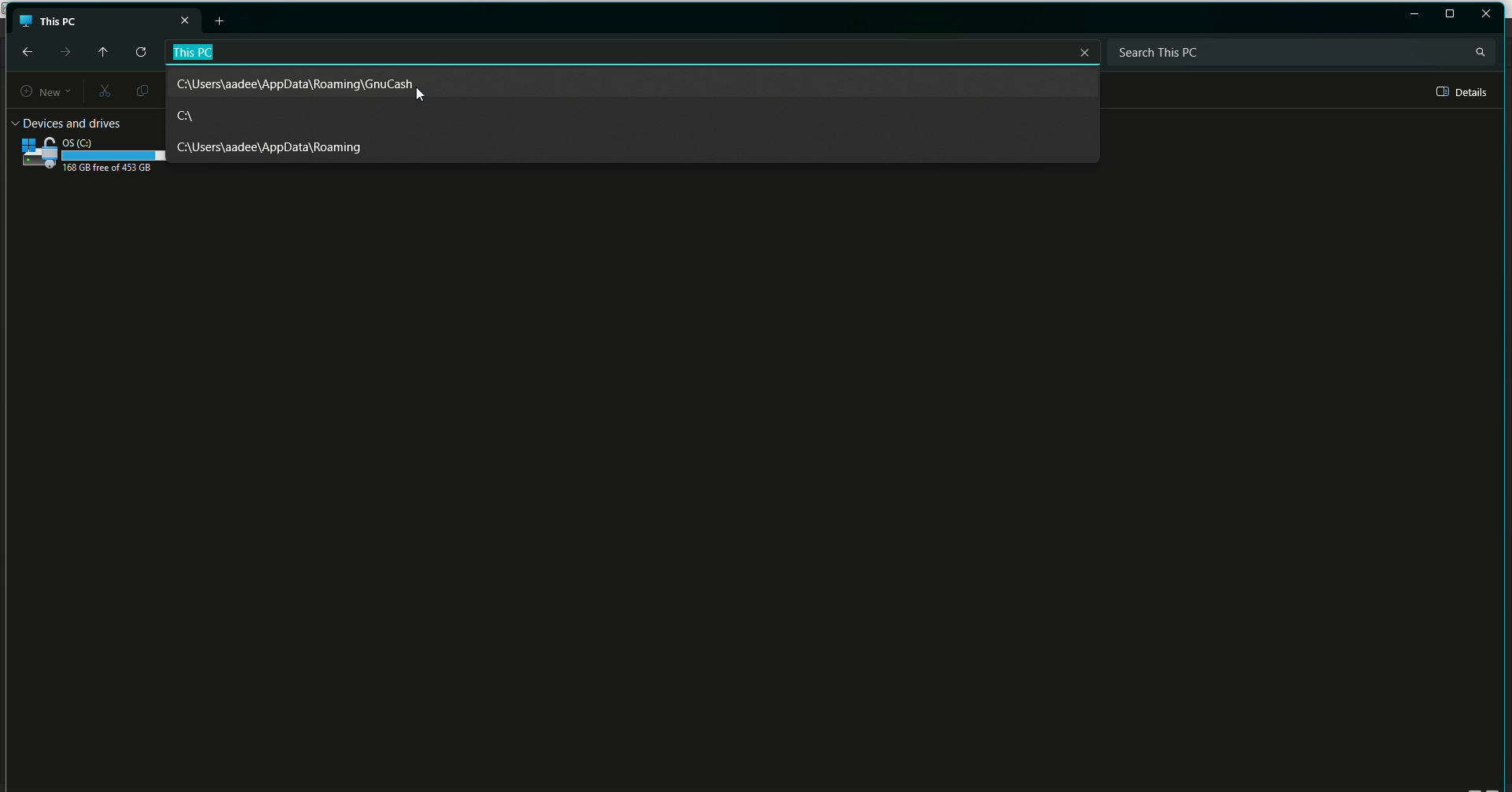 Image resolution: width=1512 pixels, height=792 pixels. Describe the element at coordinates (424, 99) in the screenshot. I see `cursor` at that location.